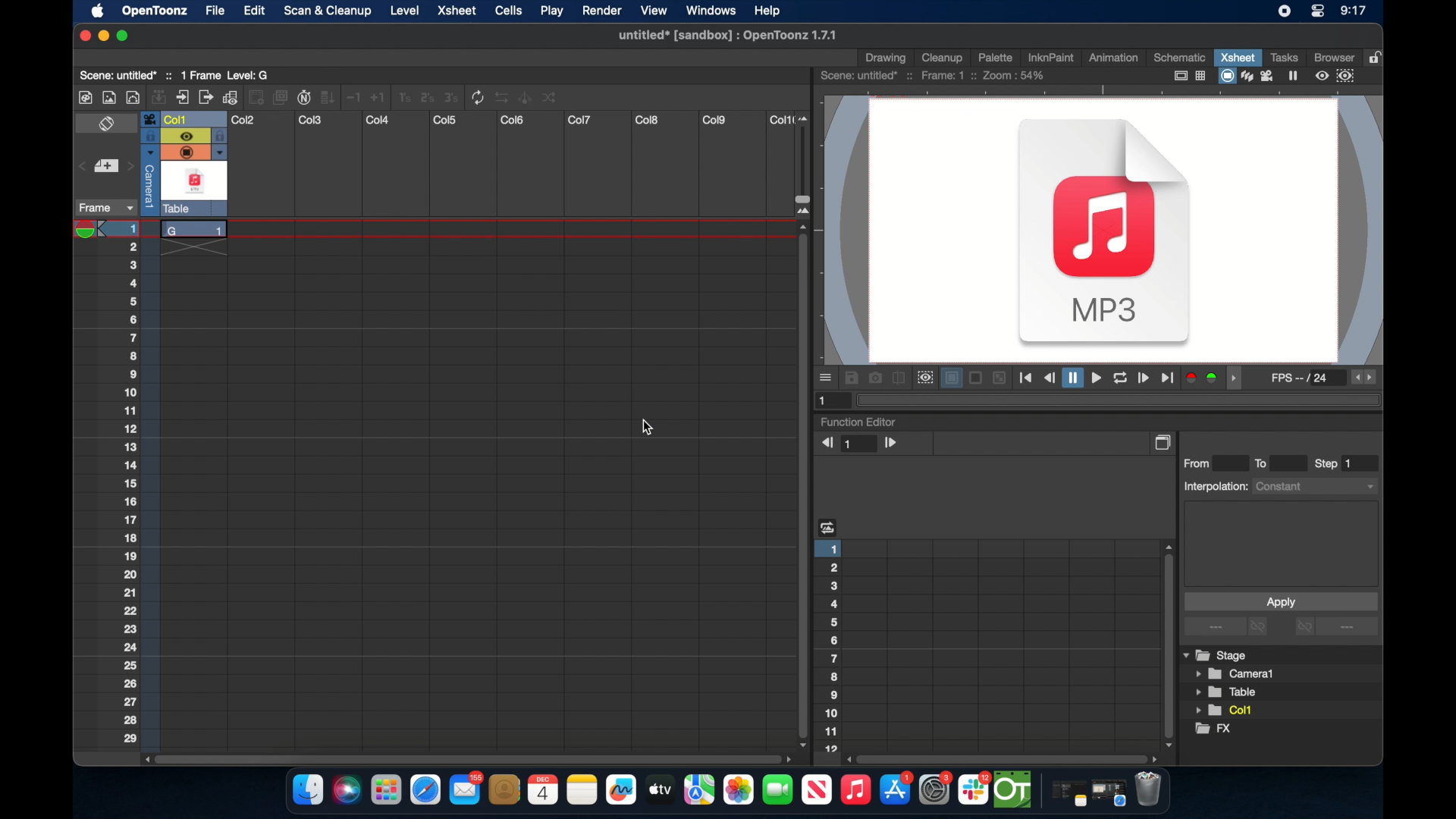 The height and width of the screenshot is (819, 1456). Describe the element at coordinates (124, 36) in the screenshot. I see `maximize` at that location.